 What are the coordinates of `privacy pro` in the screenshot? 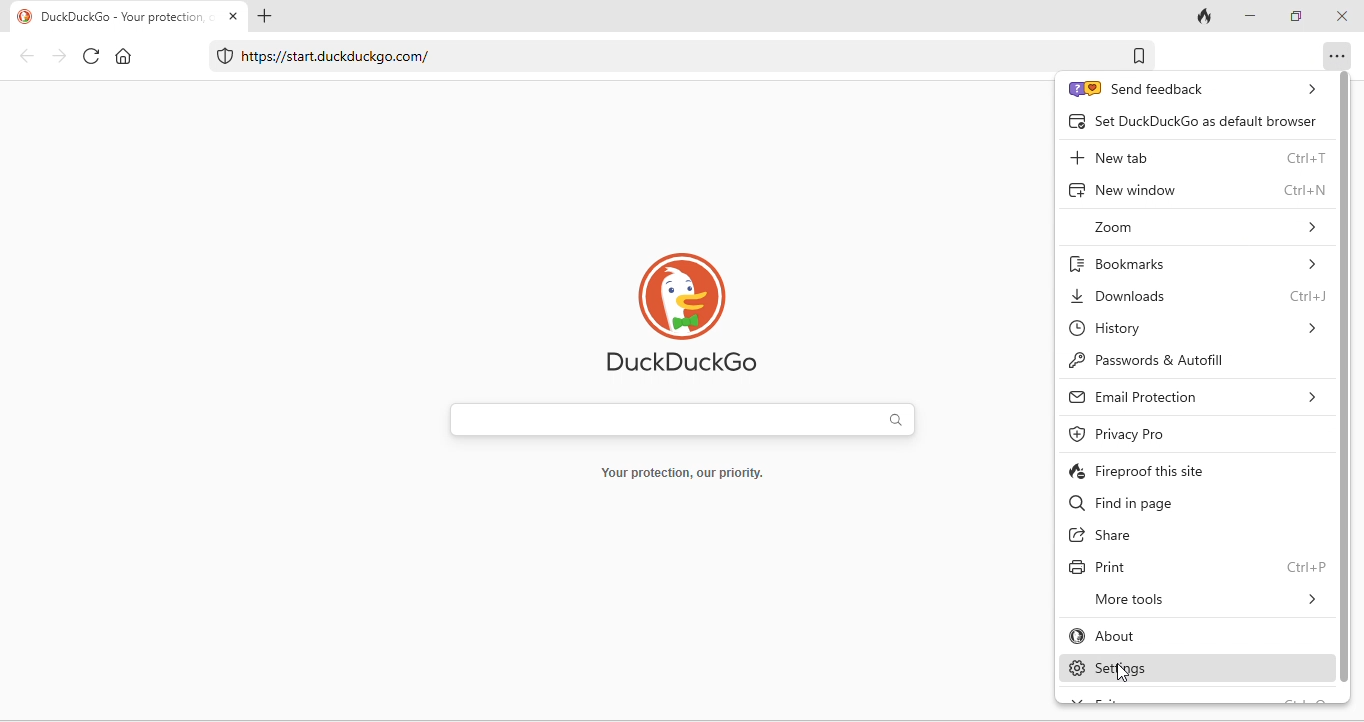 It's located at (1130, 435).